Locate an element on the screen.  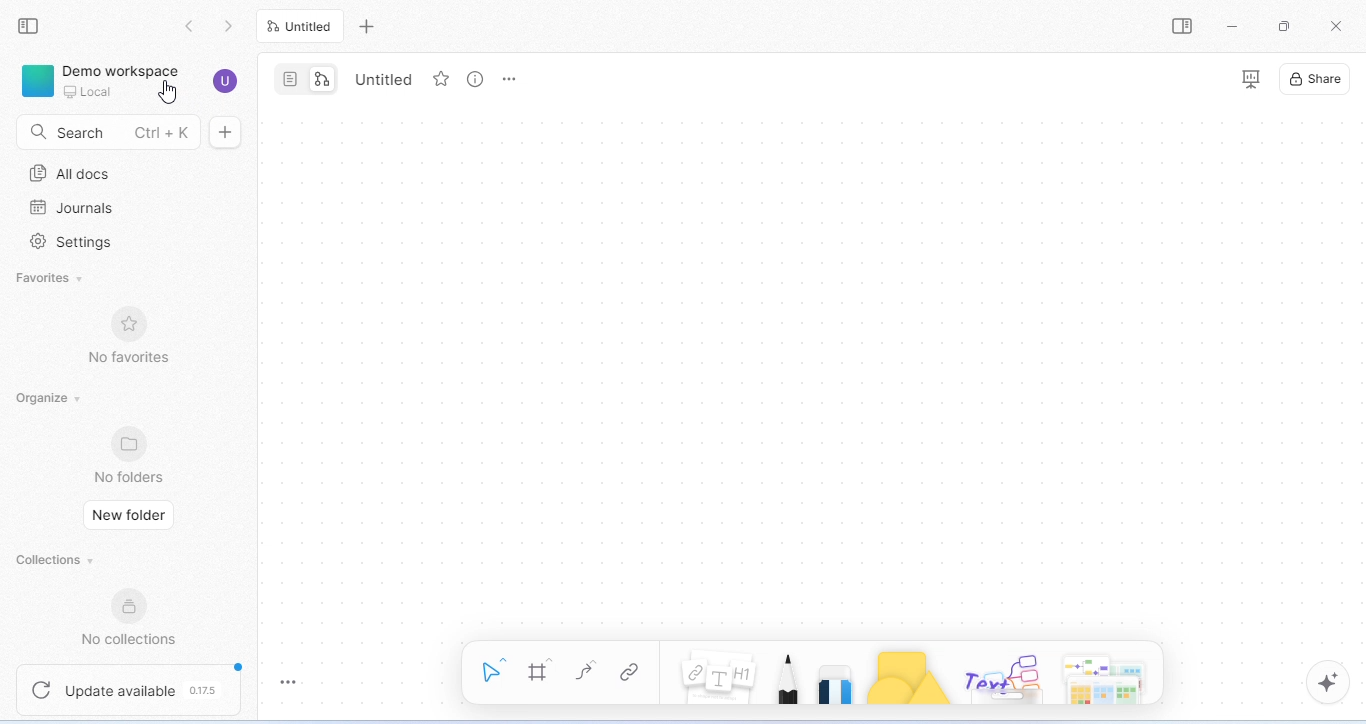
new collections is located at coordinates (137, 618).